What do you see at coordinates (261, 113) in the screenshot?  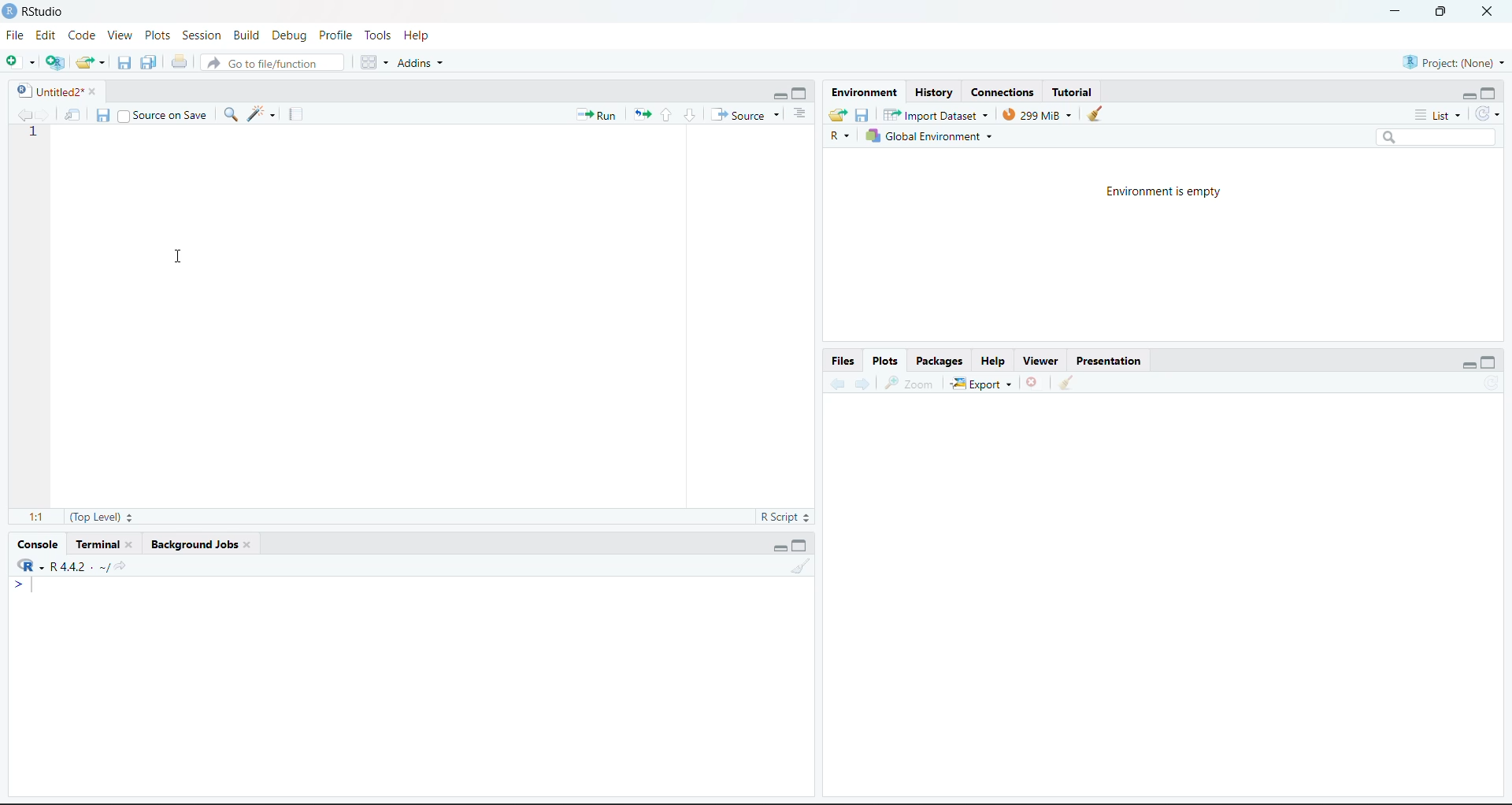 I see `code tools` at bounding box center [261, 113].